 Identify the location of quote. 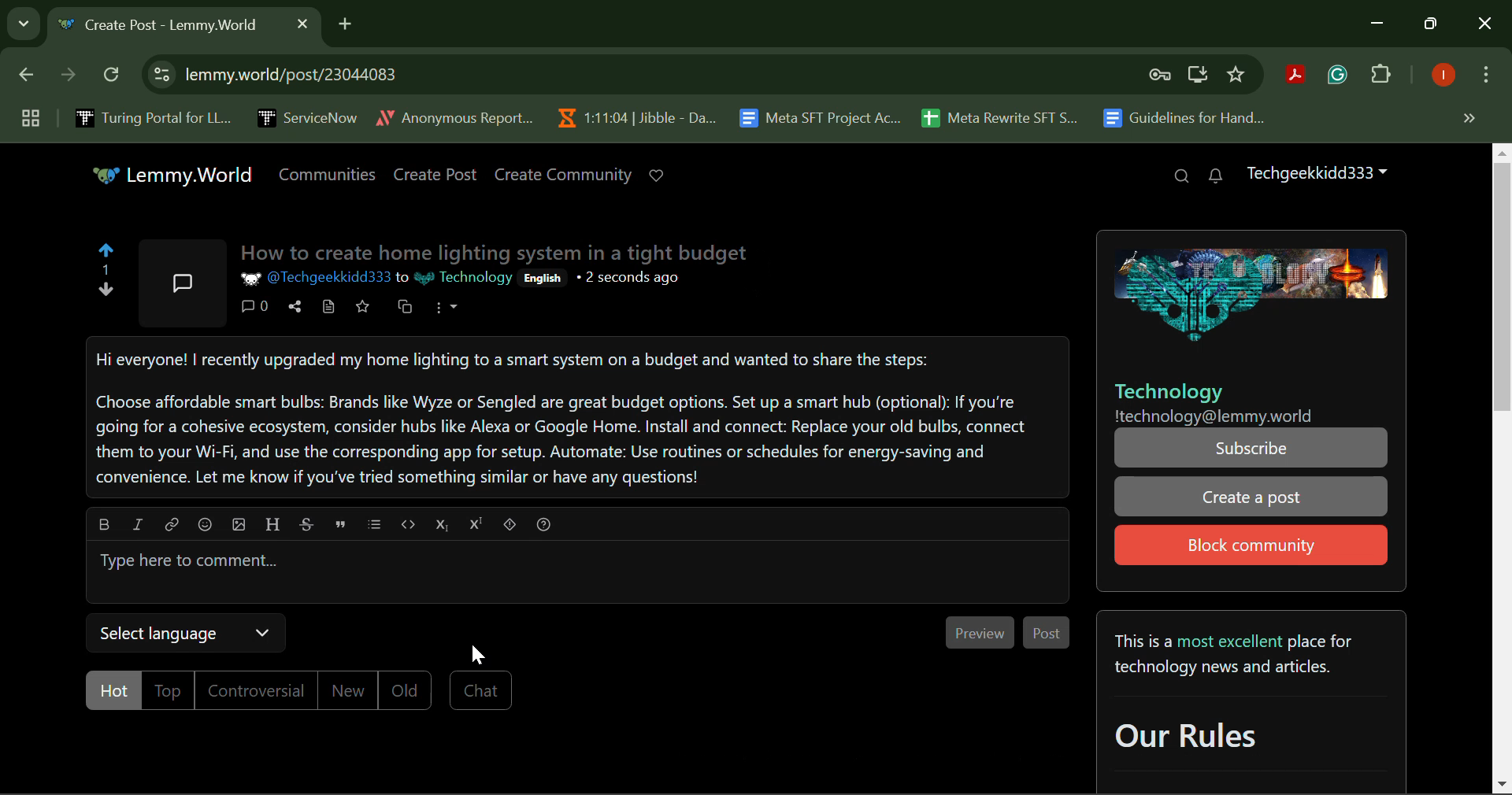
(337, 524).